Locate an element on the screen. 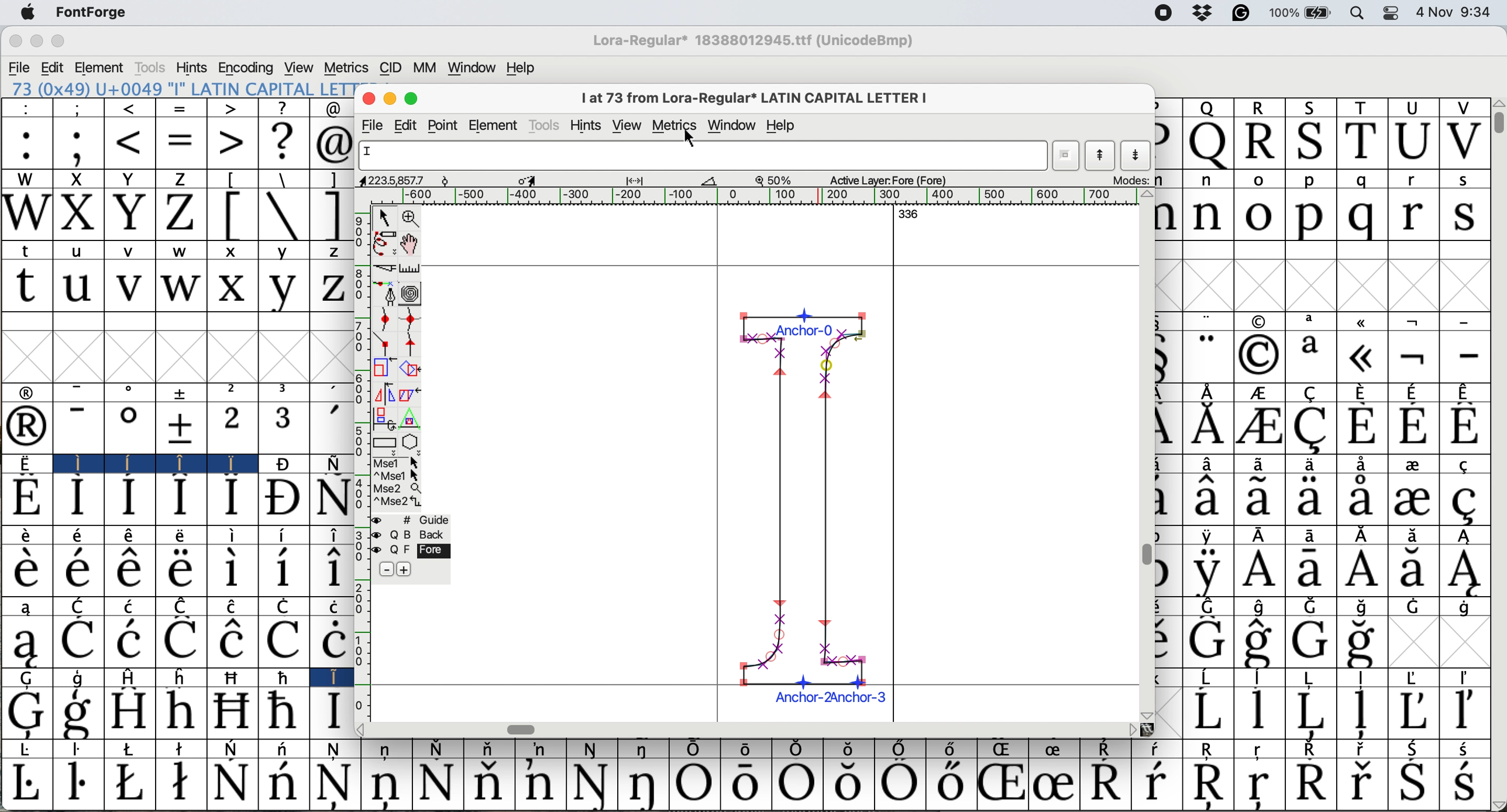 The height and width of the screenshot is (812, 1507). Z is located at coordinates (182, 215).